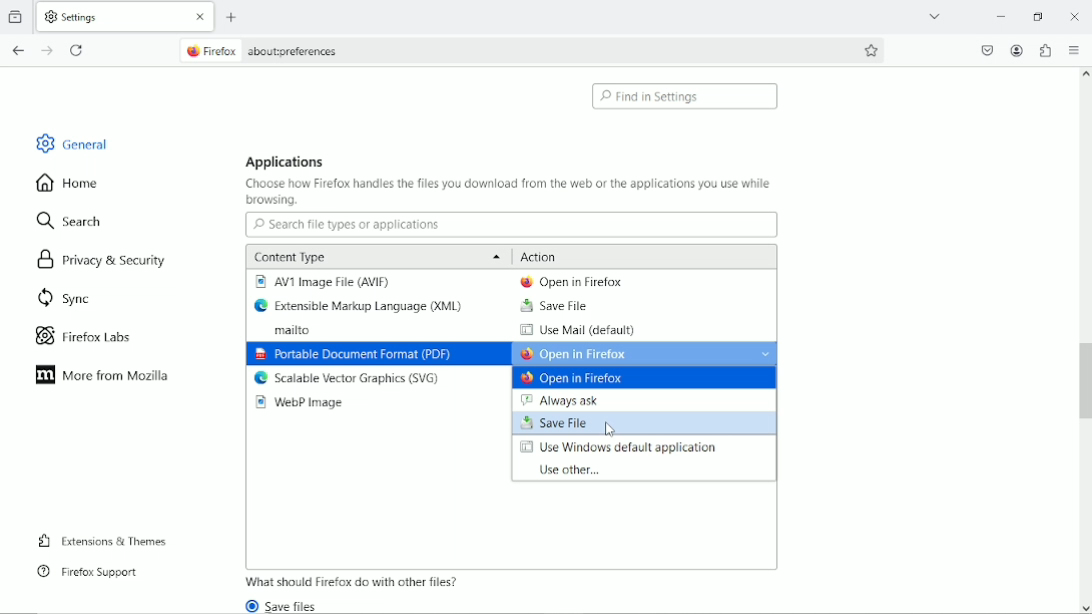 The width and height of the screenshot is (1092, 614). I want to click on Go forward, so click(49, 51).